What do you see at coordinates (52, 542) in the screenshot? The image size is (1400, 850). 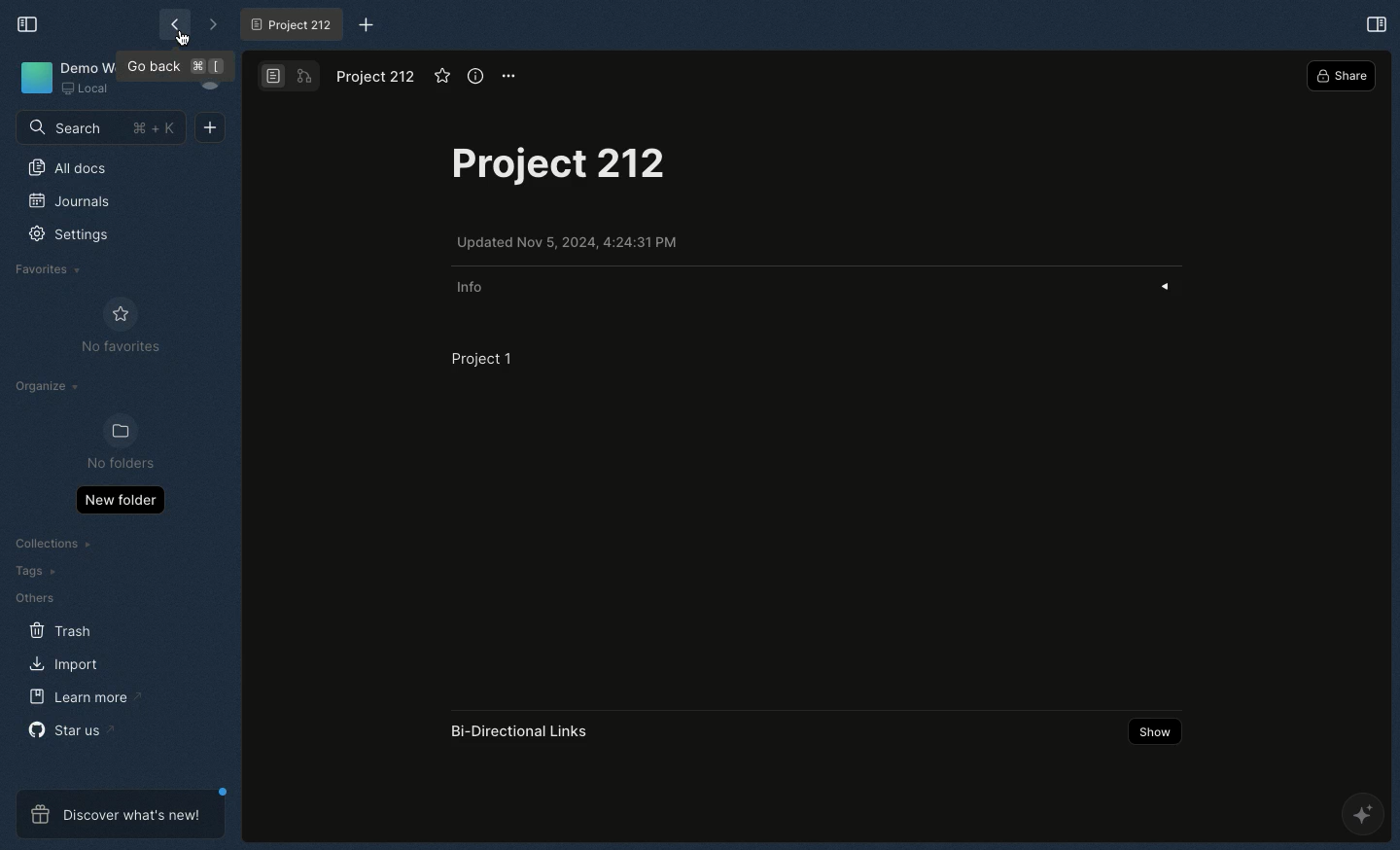 I see `Collections` at bounding box center [52, 542].